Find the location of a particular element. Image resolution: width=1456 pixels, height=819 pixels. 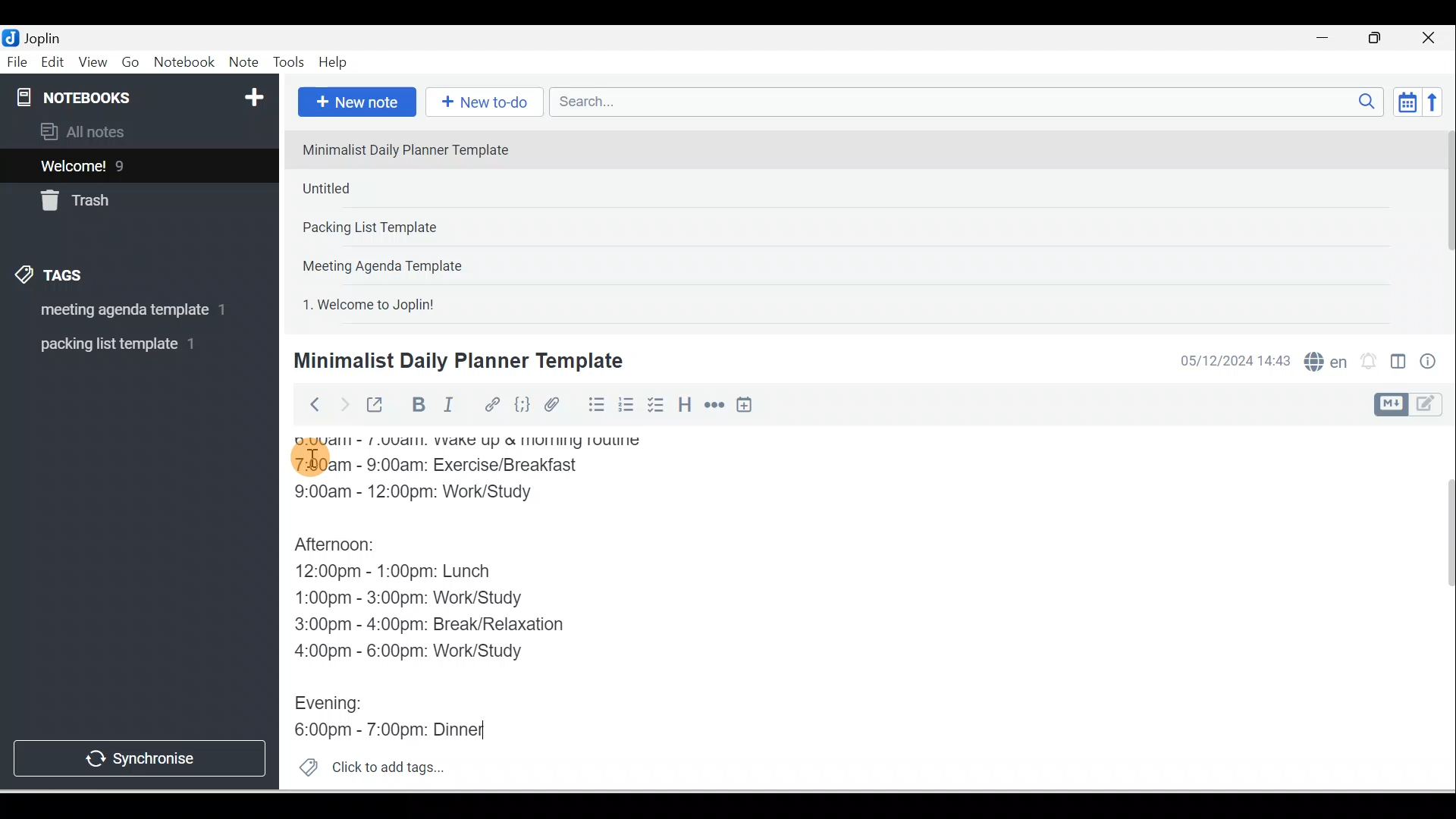

Tags is located at coordinates (54, 278).